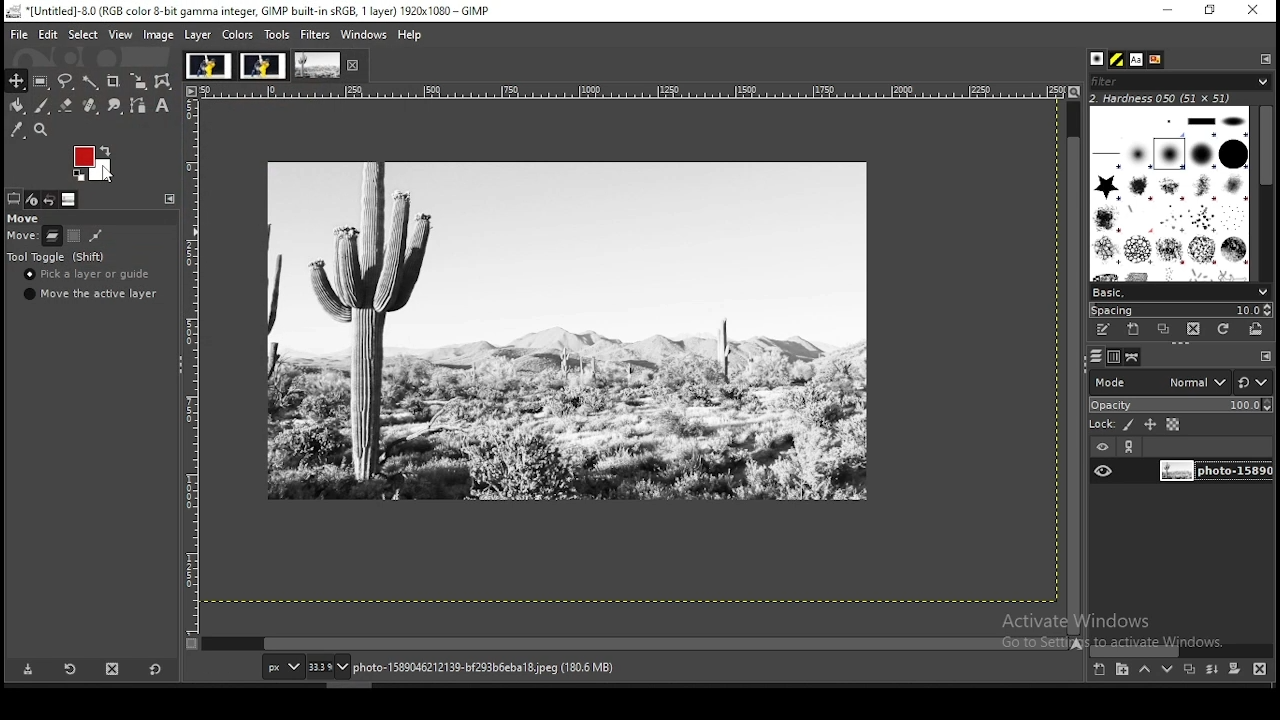 The width and height of the screenshot is (1280, 720). I want to click on scroll bar, so click(636, 644).